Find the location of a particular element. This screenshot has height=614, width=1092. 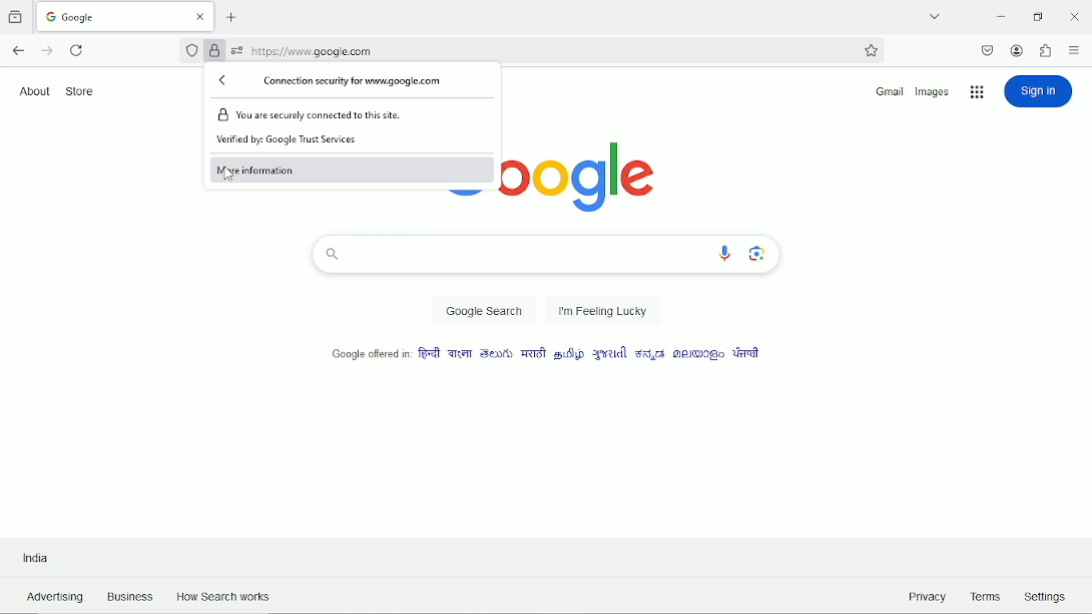

List all tabs is located at coordinates (935, 12).